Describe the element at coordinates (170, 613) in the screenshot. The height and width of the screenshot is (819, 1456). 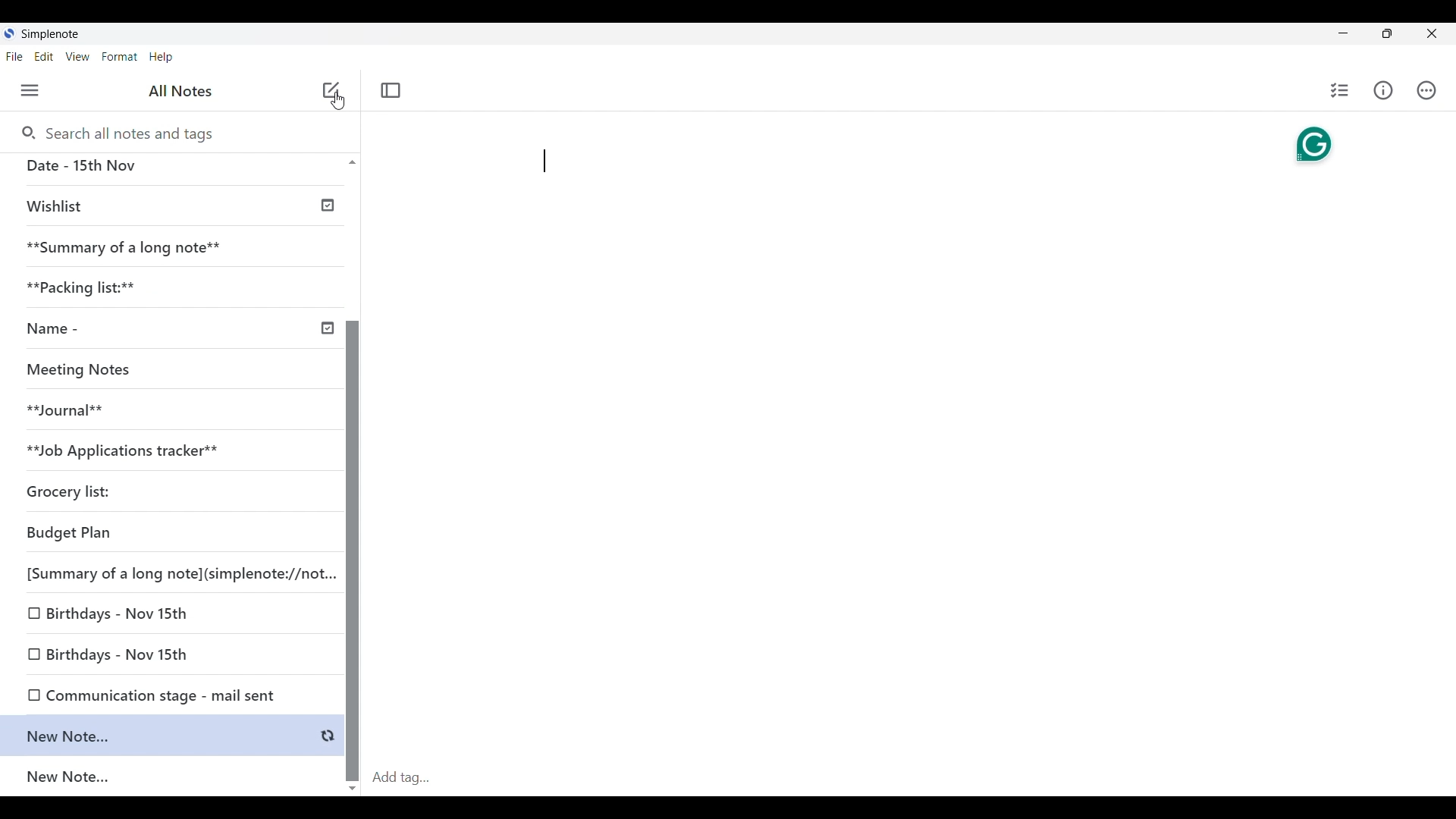
I see `Birthdays - Nov 15th` at that location.